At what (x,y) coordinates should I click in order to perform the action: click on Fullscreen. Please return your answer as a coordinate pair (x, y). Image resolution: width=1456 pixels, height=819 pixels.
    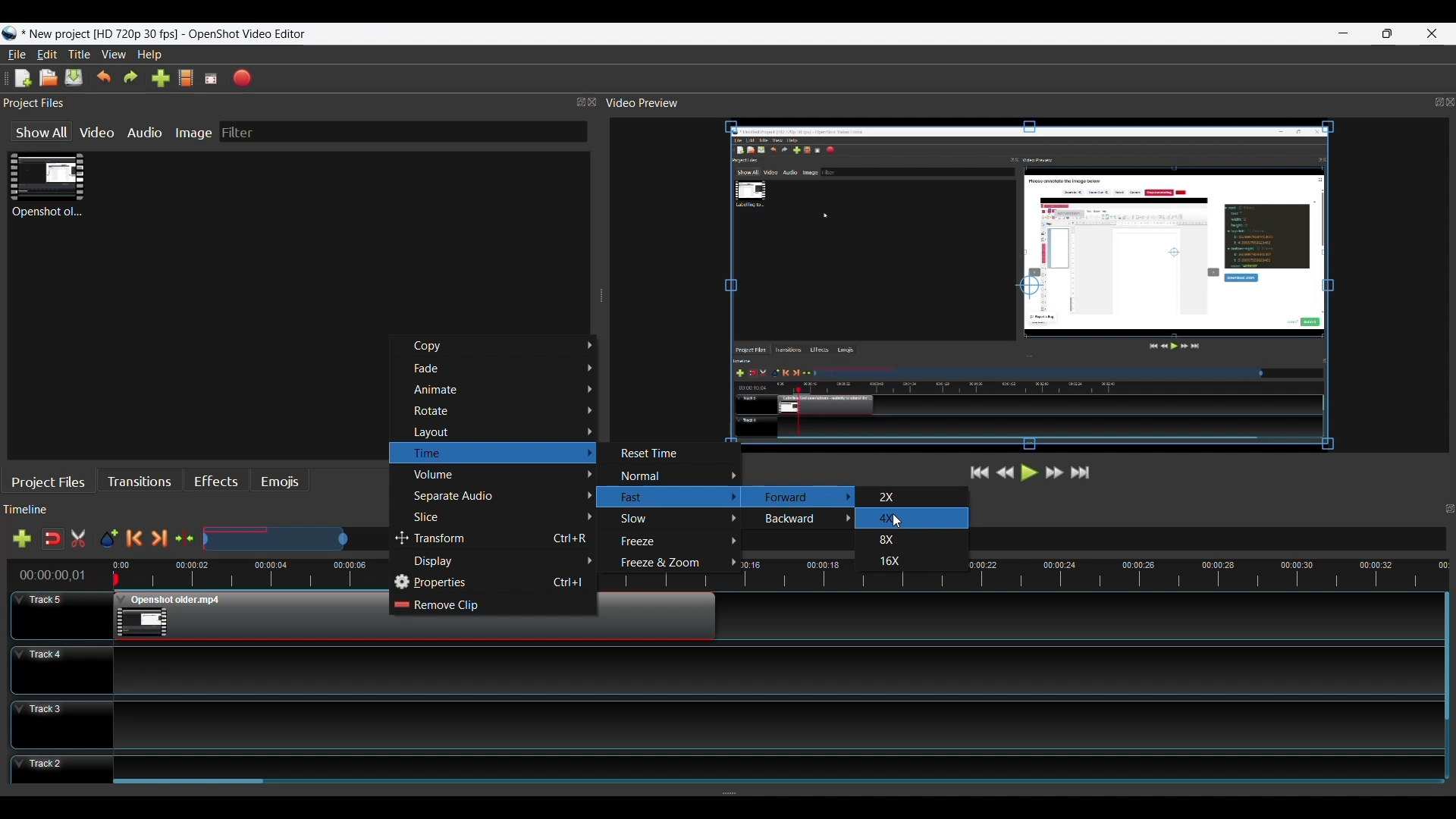
    Looking at the image, I should click on (212, 78).